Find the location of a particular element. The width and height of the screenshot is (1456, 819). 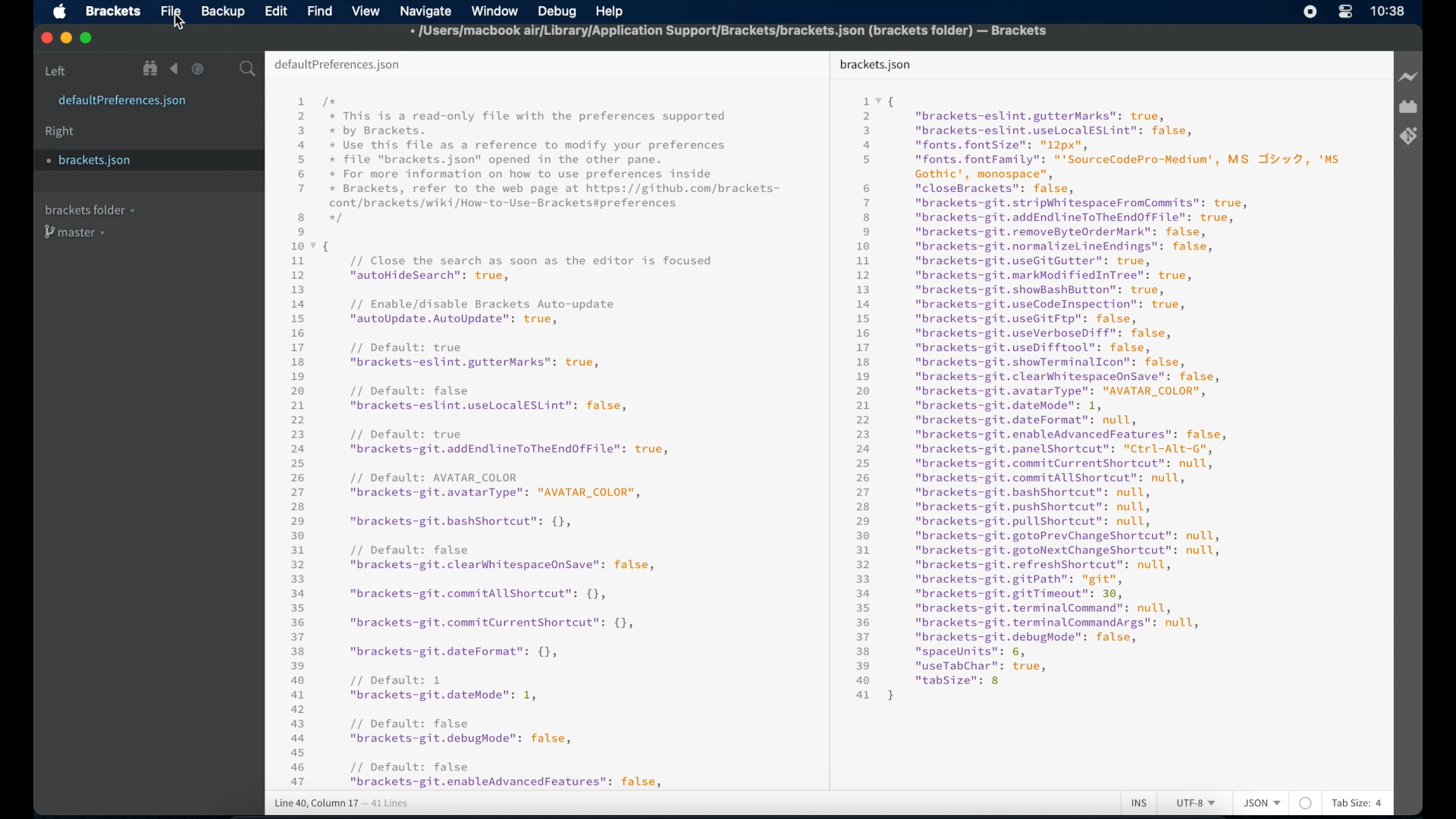

default preferences.json is located at coordinates (337, 65).